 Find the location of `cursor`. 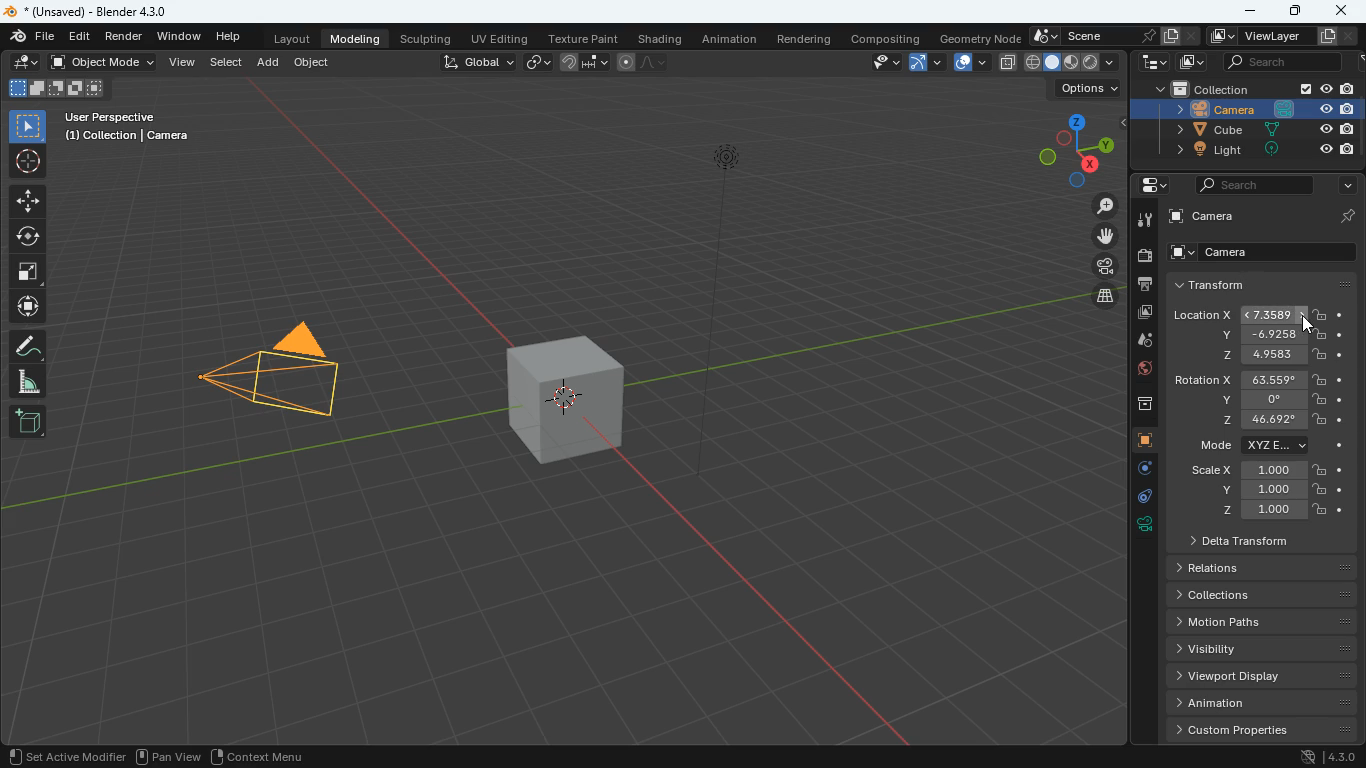

cursor is located at coordinates (1307, 327).